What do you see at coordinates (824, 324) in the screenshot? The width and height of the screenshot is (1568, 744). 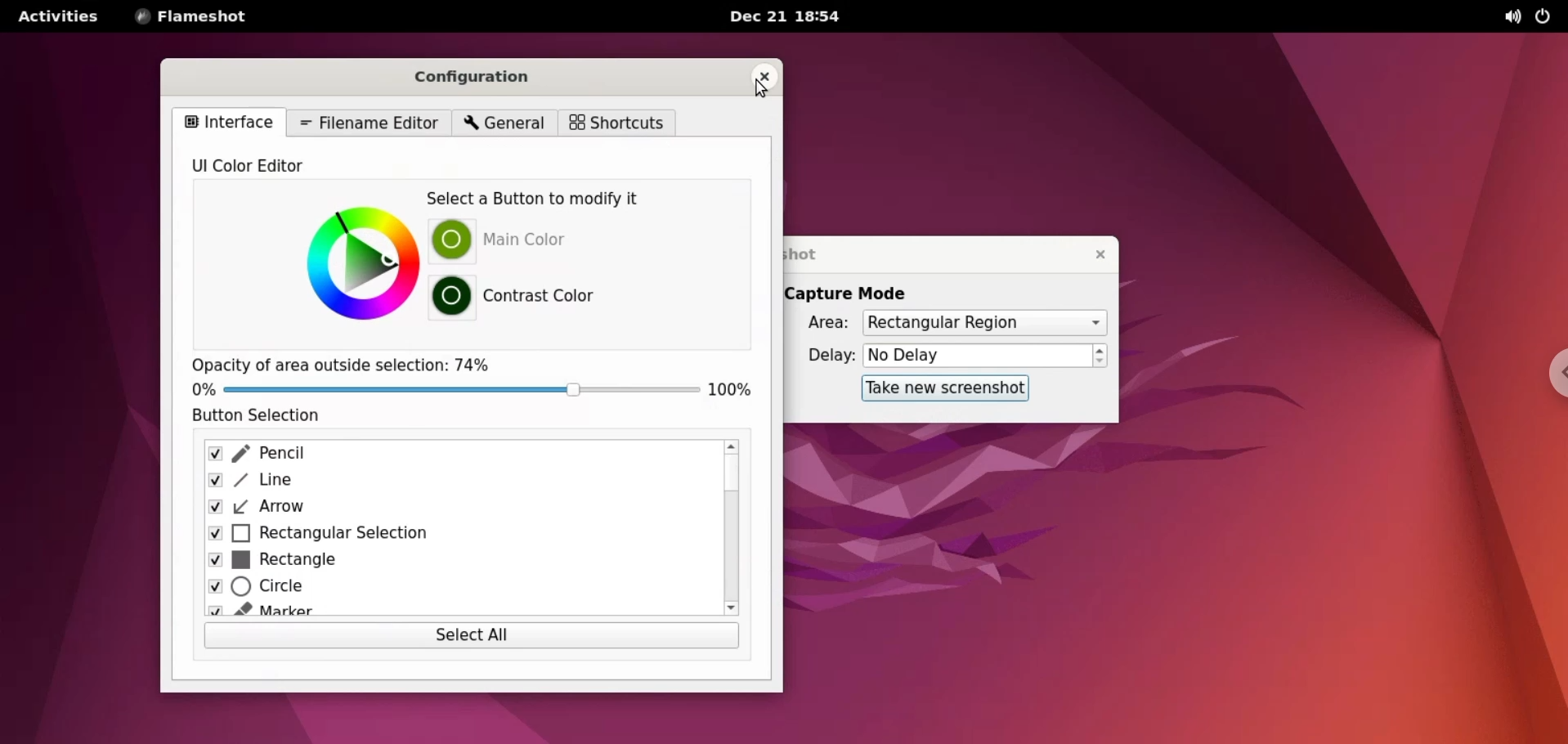 I see `area:` at bounding box center [824, 324].